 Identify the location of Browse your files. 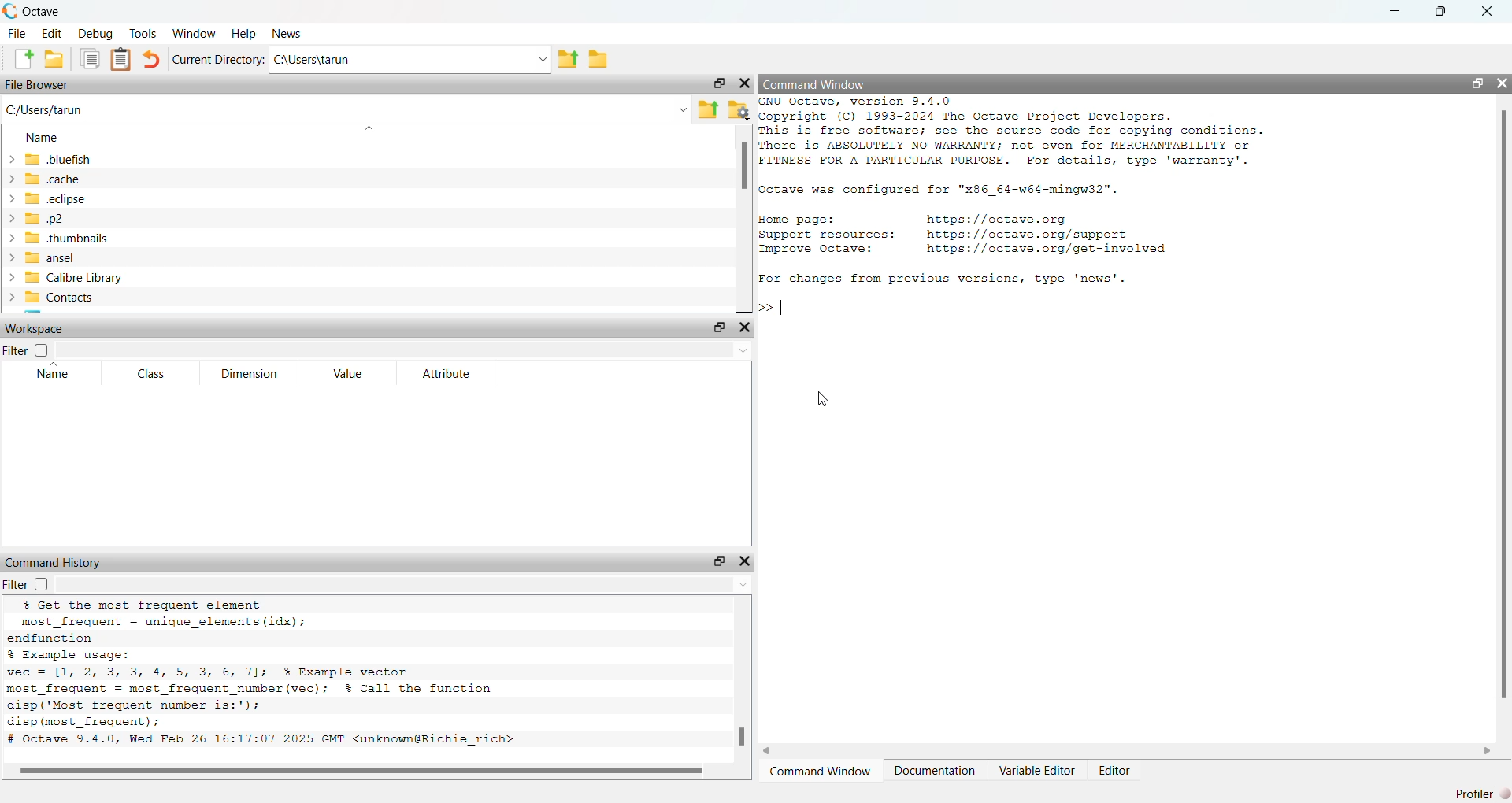
(739, 110).